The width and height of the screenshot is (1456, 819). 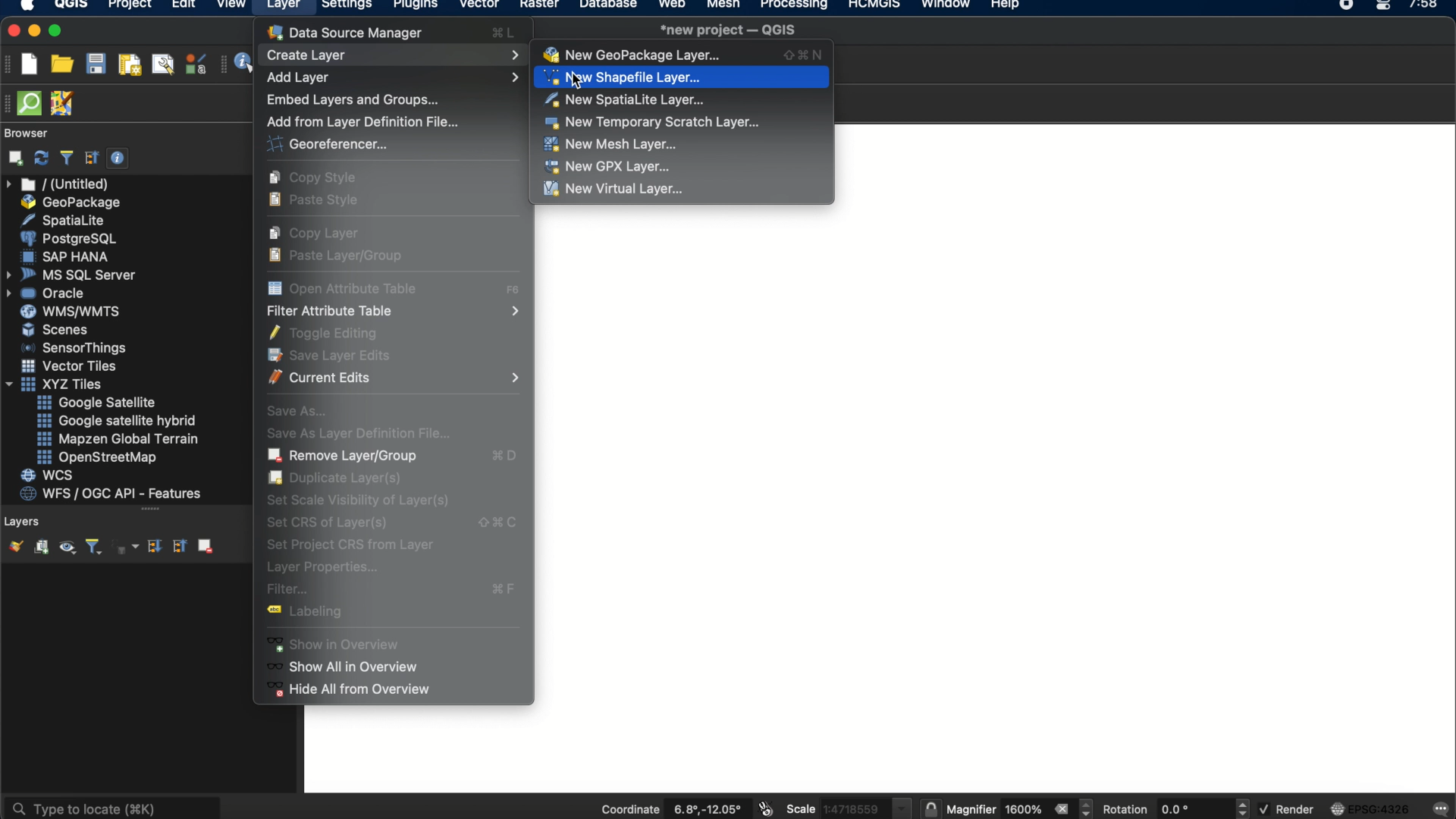 I want to click on workspace, so click(x=1145, y=168).